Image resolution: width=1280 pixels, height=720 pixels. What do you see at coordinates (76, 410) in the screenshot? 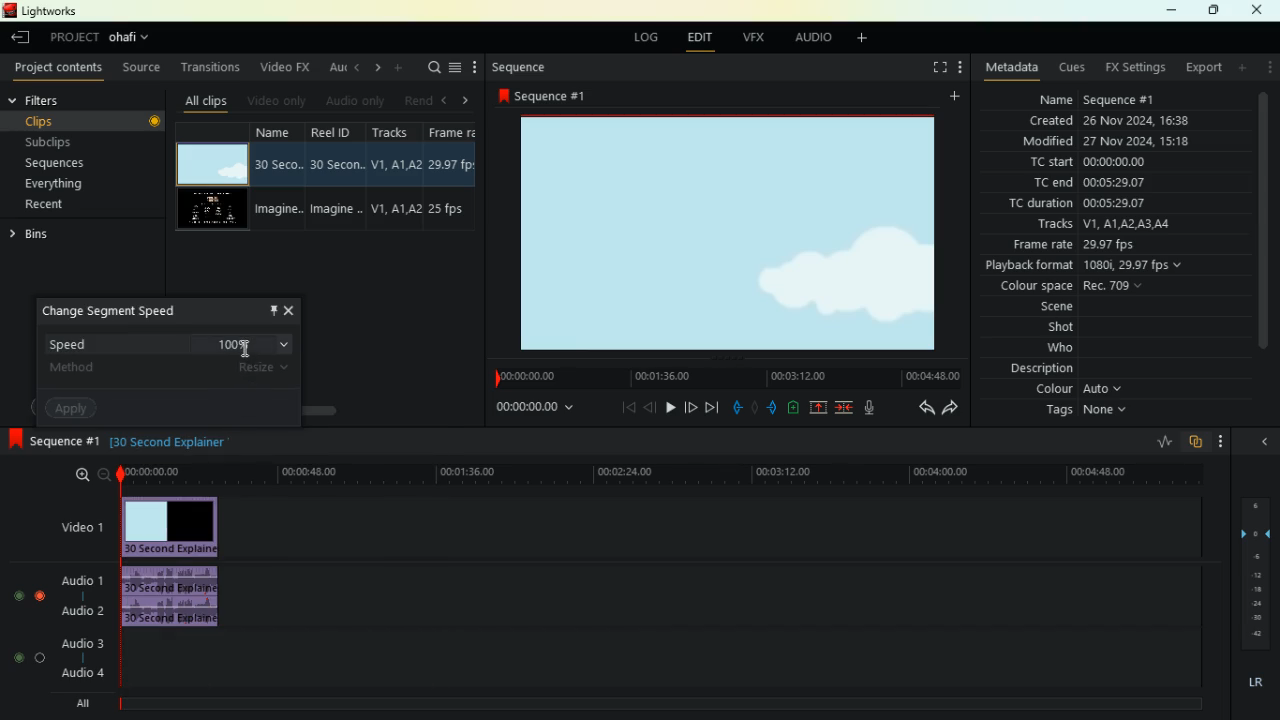
I see `apply` at bounding box center [76, 410].